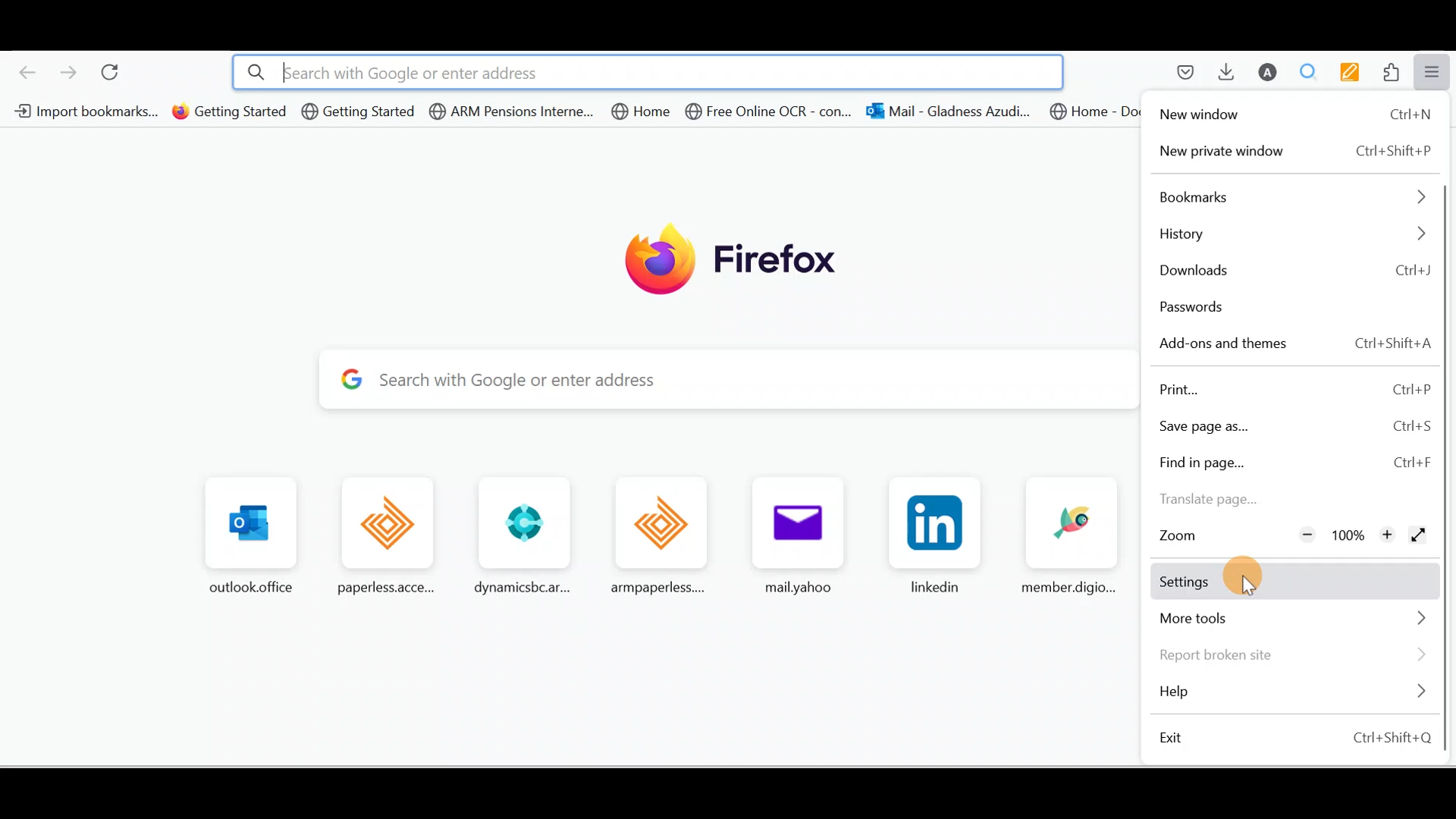 The height and width of the screenshot is (819, 1456). What do you see at coordinates (84, 111) in the screenshot?
I see `Bookmark 1` at bounding box center [84, 111].